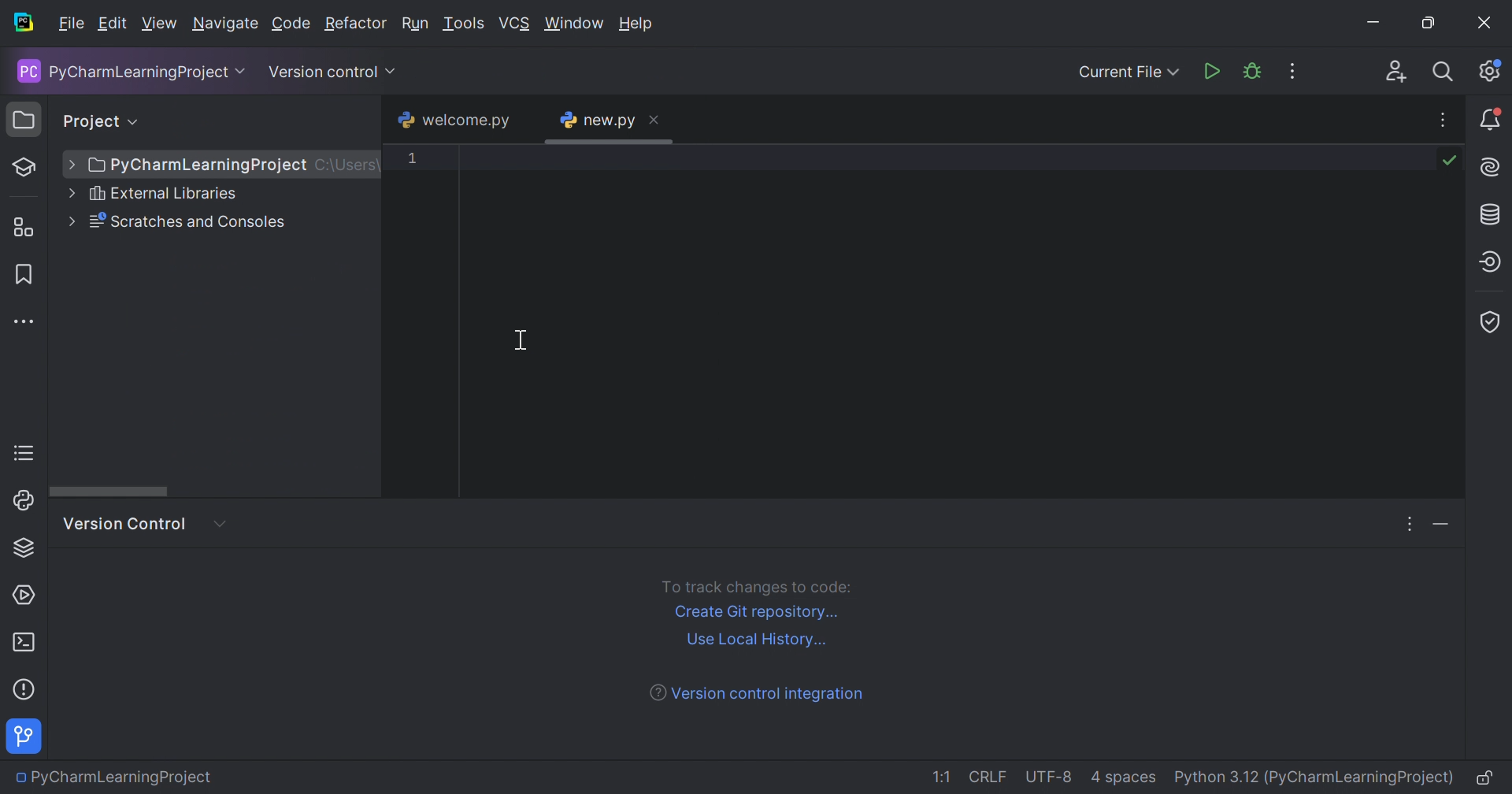  Describe the element at coordinates (1491, 118) in the screenshot. I see `Updates available` at that location.